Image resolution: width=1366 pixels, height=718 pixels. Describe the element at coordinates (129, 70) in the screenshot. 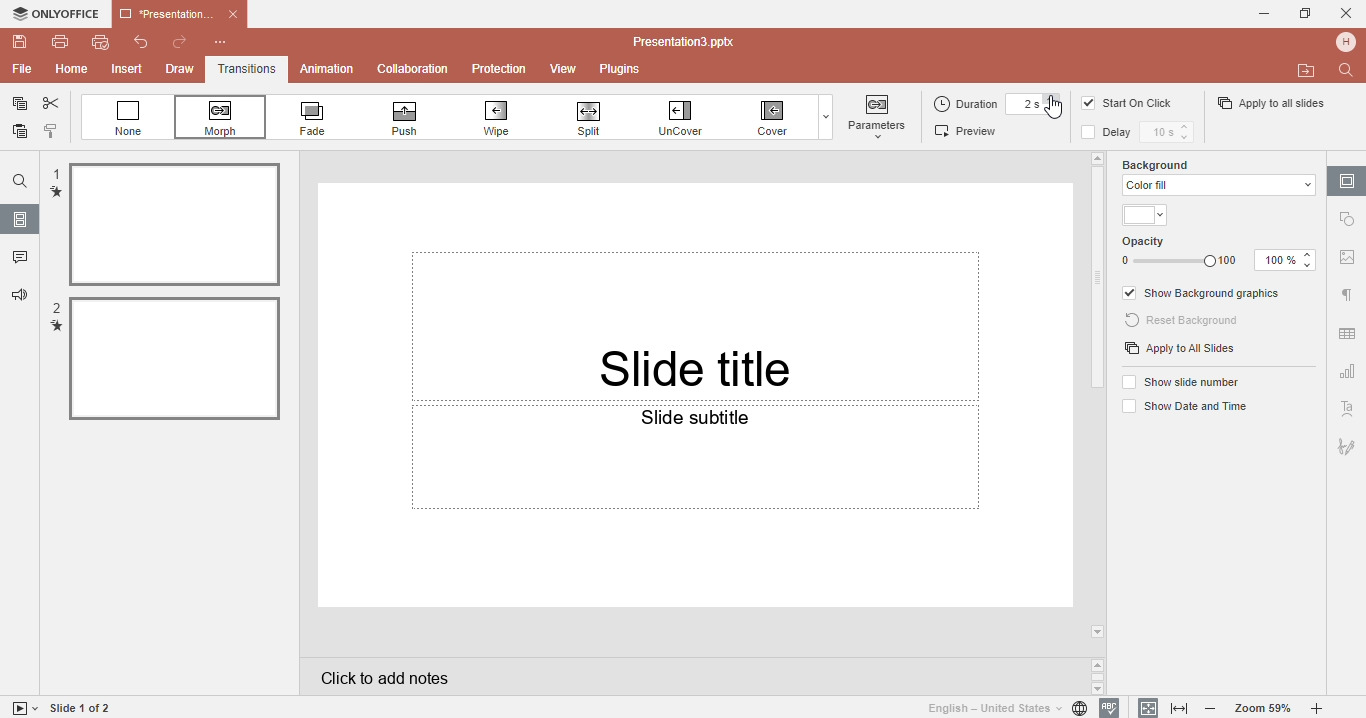

I see `Insert` at that location.